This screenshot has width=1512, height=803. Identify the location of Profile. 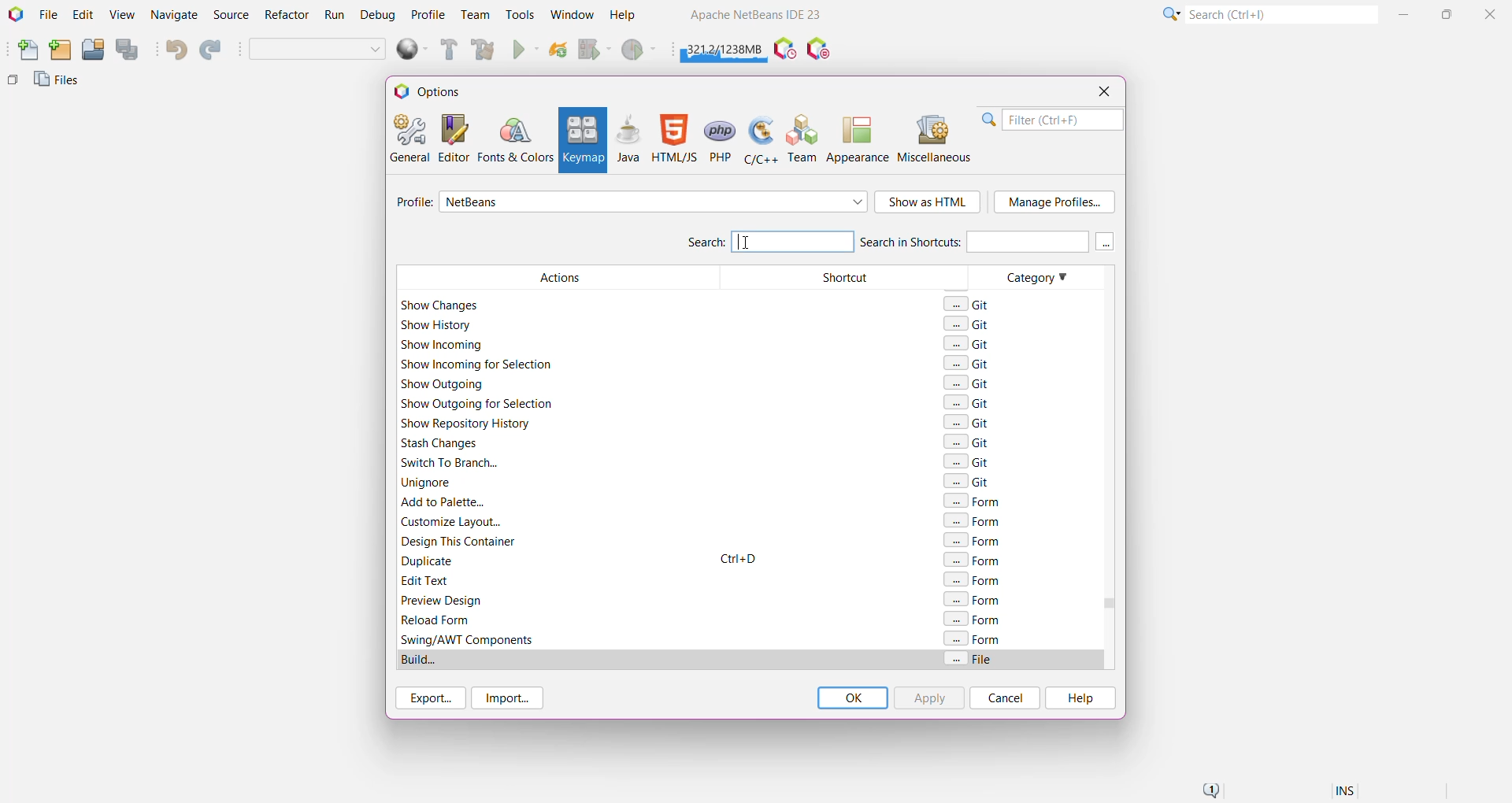
(428, 14).